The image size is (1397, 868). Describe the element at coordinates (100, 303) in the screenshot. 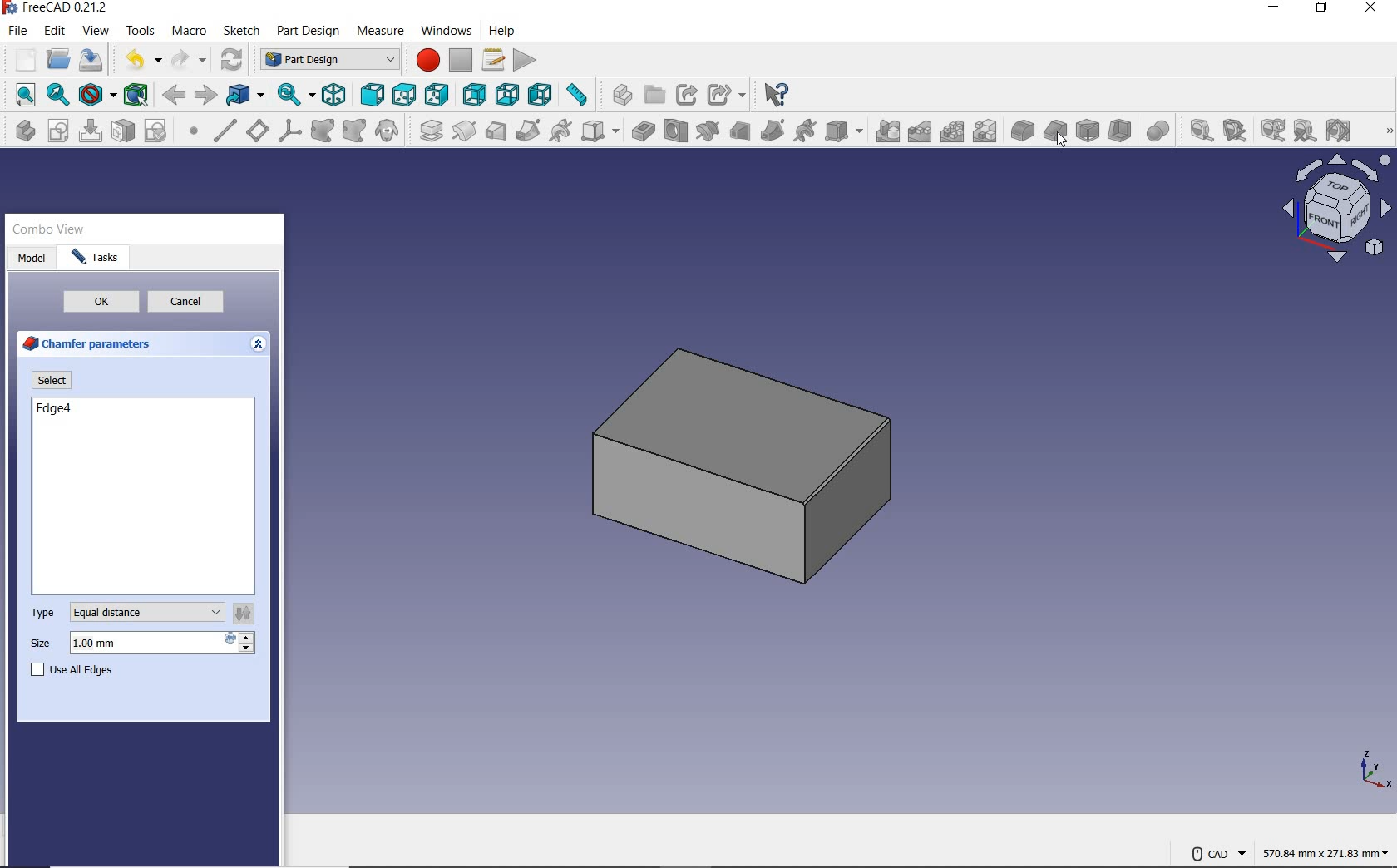

I see `ok` at that location.